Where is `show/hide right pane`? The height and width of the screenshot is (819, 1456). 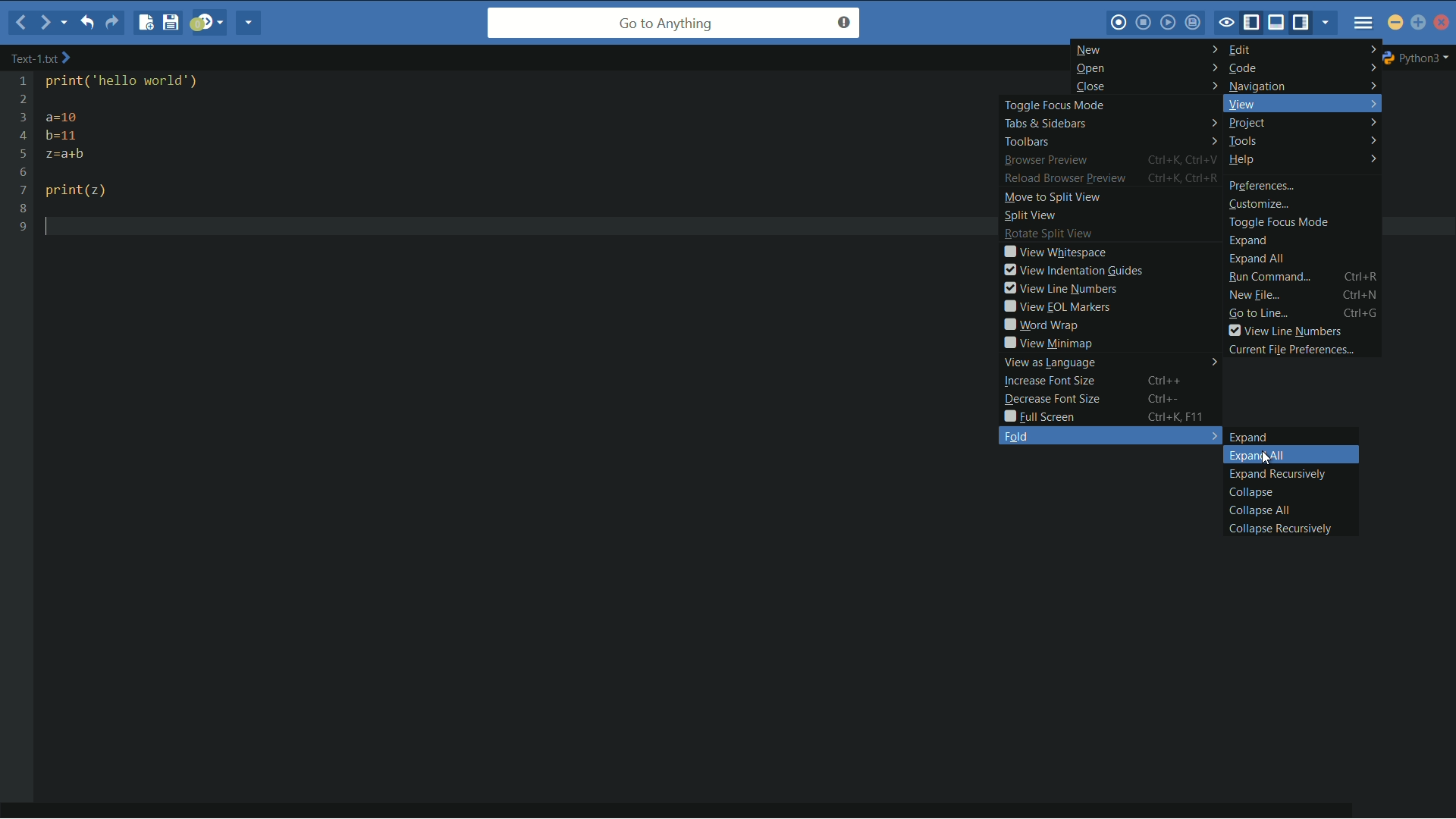 show/hide right pane is located at coordinates (1305, 24).